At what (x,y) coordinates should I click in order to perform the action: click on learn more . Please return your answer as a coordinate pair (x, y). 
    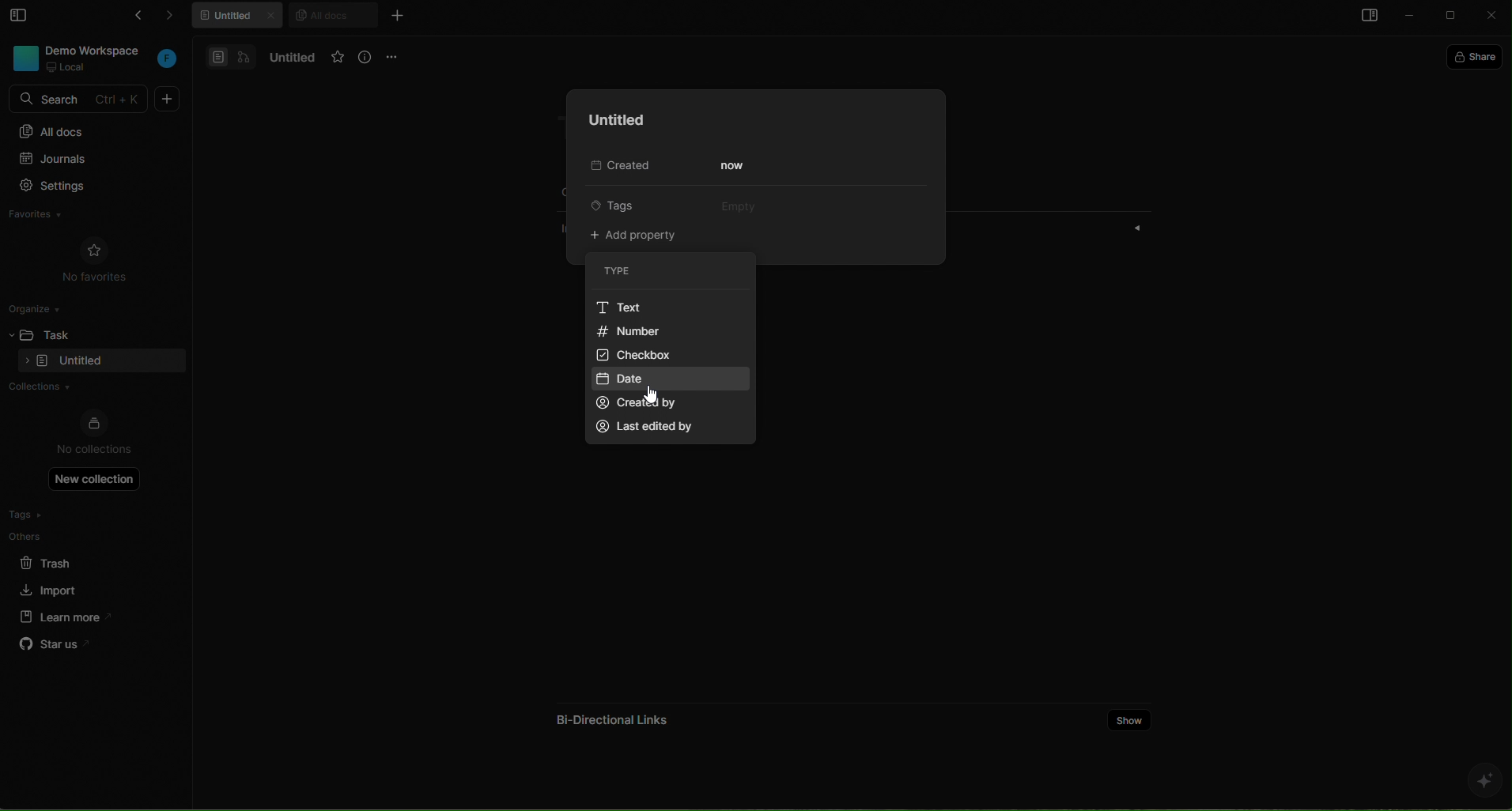
    Looking at the image, I should click on (60, 616).